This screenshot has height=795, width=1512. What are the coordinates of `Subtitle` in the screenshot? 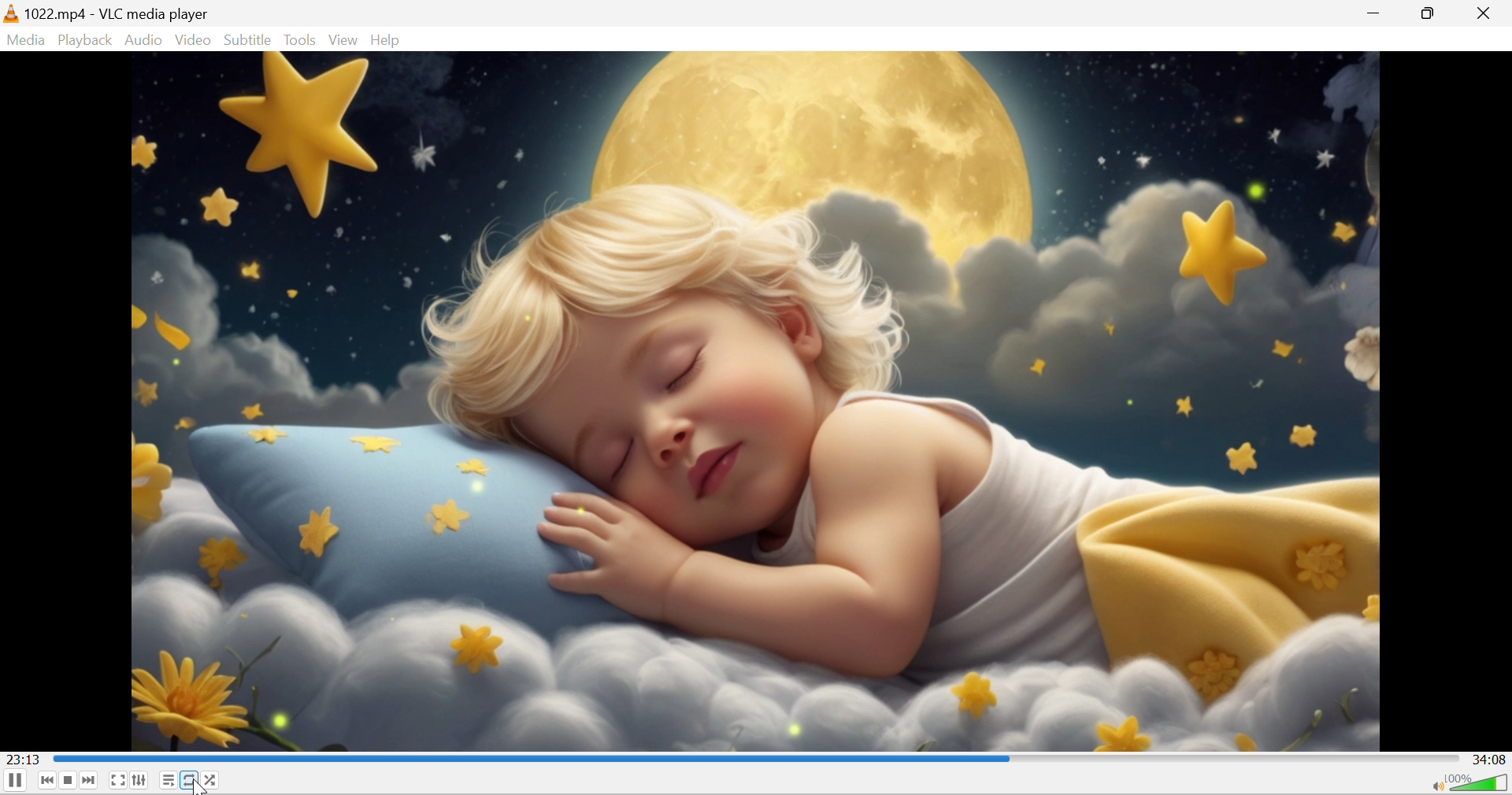 It's located at (246, 41).